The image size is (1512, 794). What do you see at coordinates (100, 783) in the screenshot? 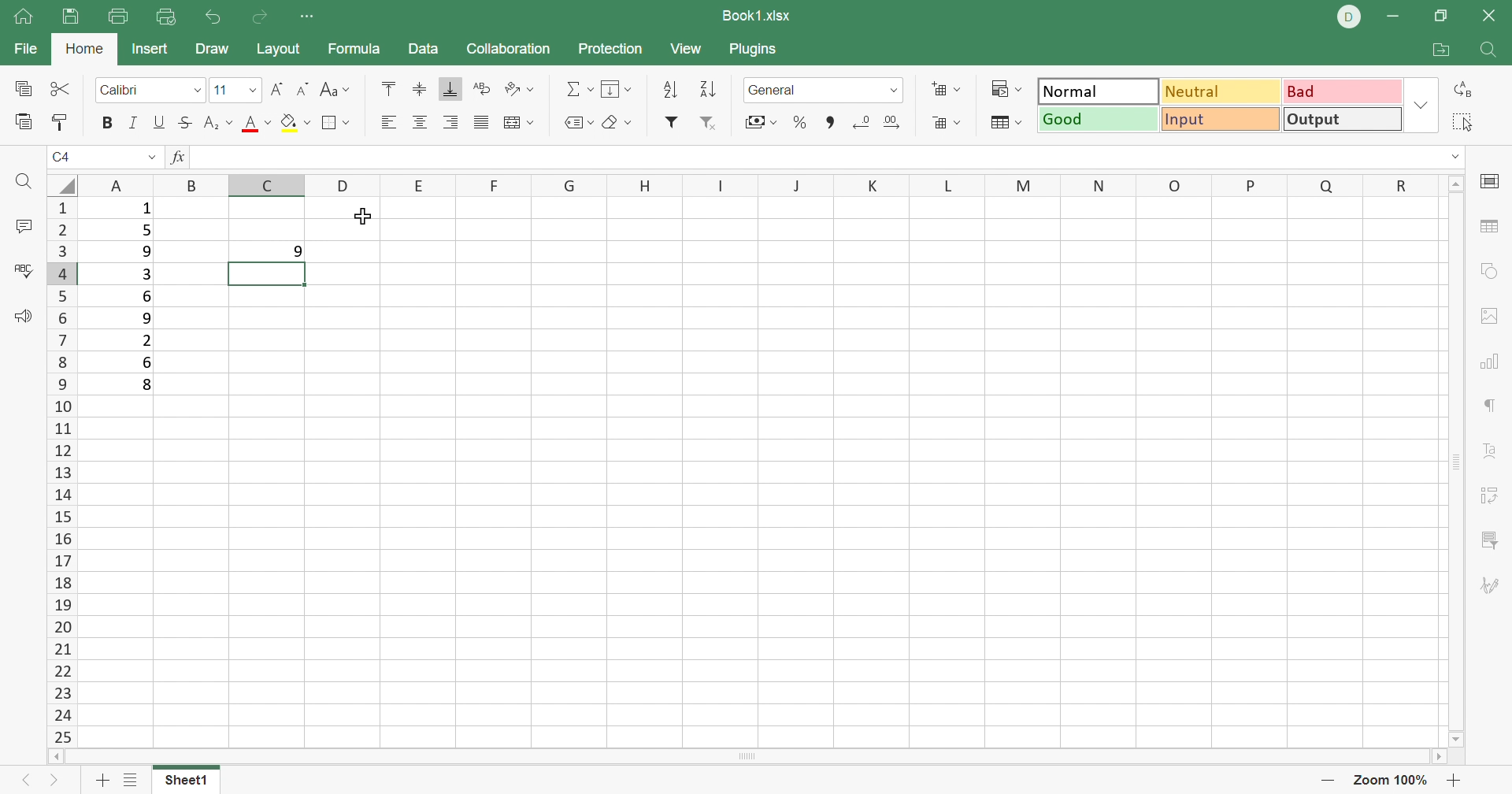
I see `Add sheet` at bounding box center [100, 783].